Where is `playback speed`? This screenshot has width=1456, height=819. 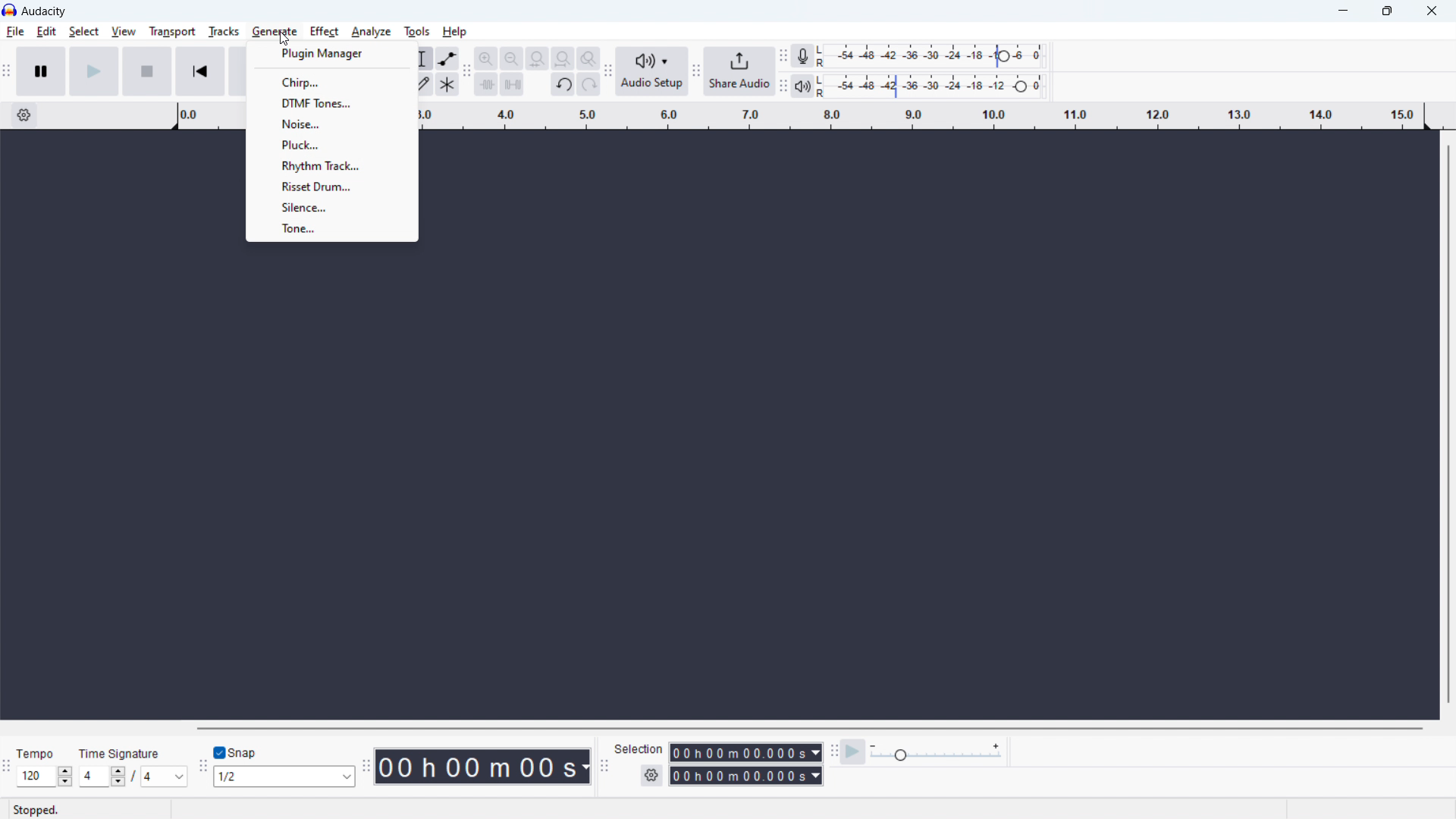 playback speed is located at coordinates (937, 753).